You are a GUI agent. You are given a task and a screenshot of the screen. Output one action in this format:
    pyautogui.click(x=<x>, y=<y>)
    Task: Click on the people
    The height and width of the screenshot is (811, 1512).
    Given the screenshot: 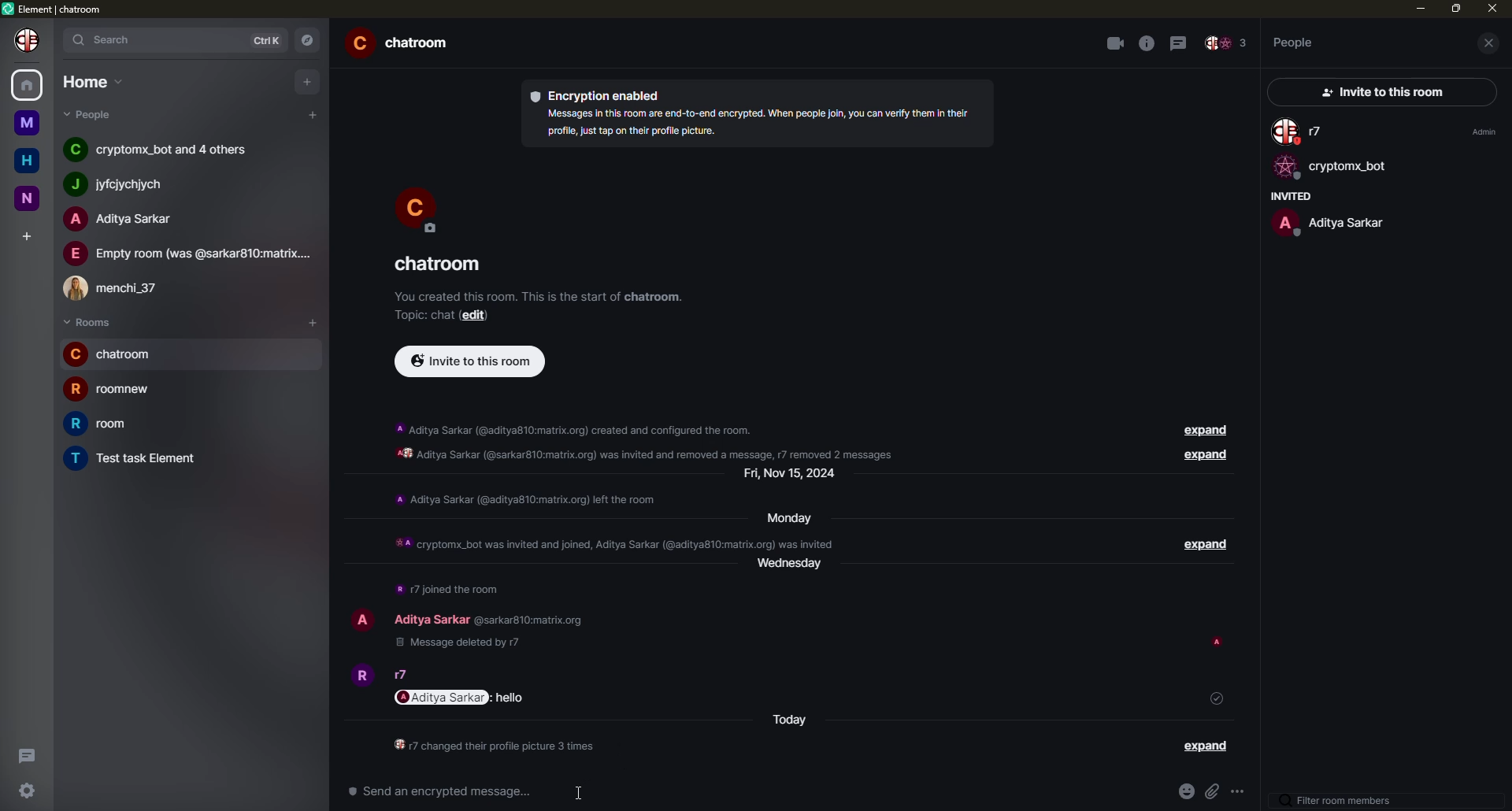 What is the action you would take?
    pyautogui.click(x=189, y=254)
    